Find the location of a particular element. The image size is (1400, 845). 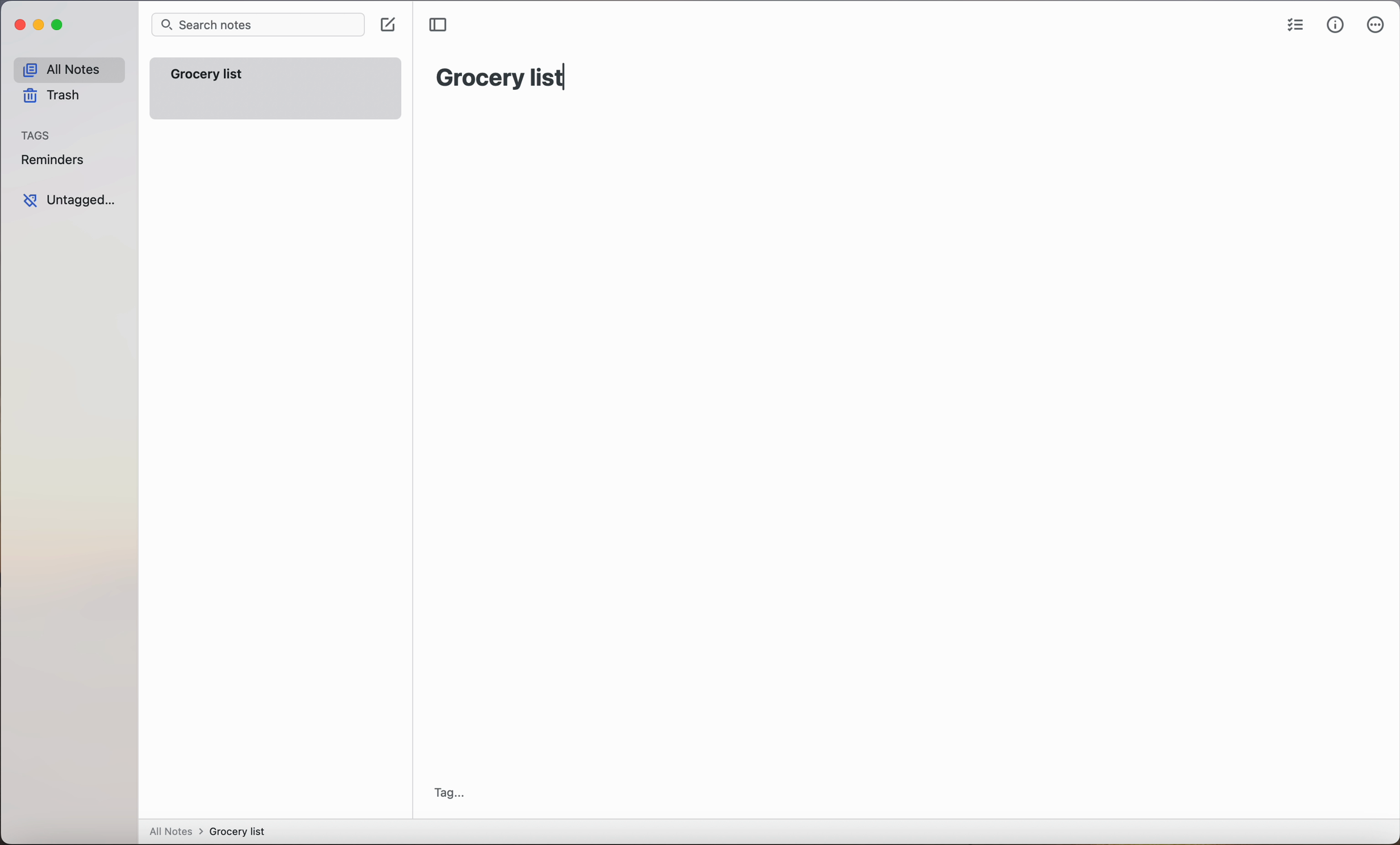

more options is located at coordinates (1376, 27).